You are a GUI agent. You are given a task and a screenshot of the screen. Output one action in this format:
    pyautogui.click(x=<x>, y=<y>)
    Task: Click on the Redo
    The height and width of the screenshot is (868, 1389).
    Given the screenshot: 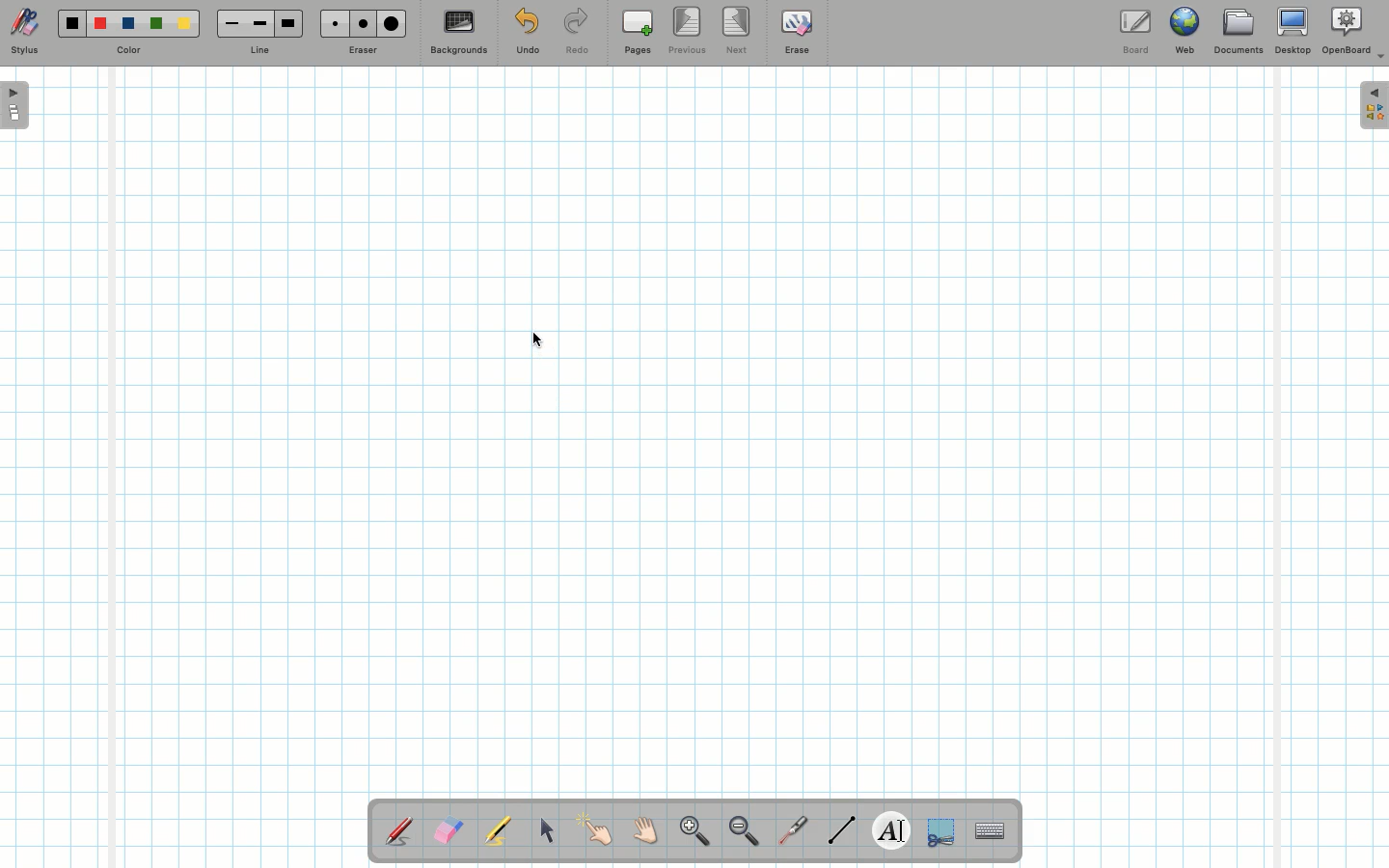 What is the action you would take?
    pyautogui.click(x=577, y=35)
    